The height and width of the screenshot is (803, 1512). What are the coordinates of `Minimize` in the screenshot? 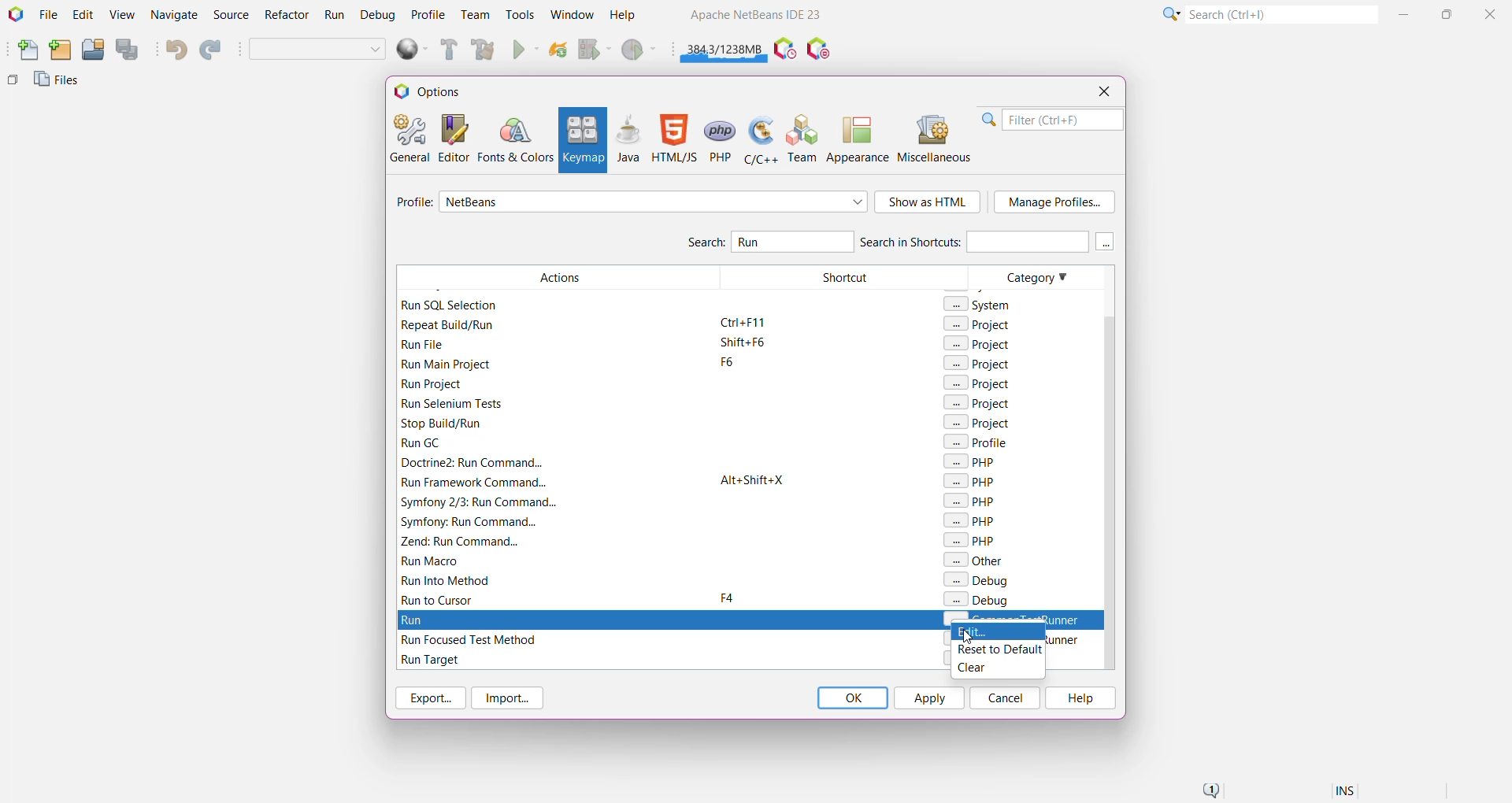 It's located at (1406, 14).